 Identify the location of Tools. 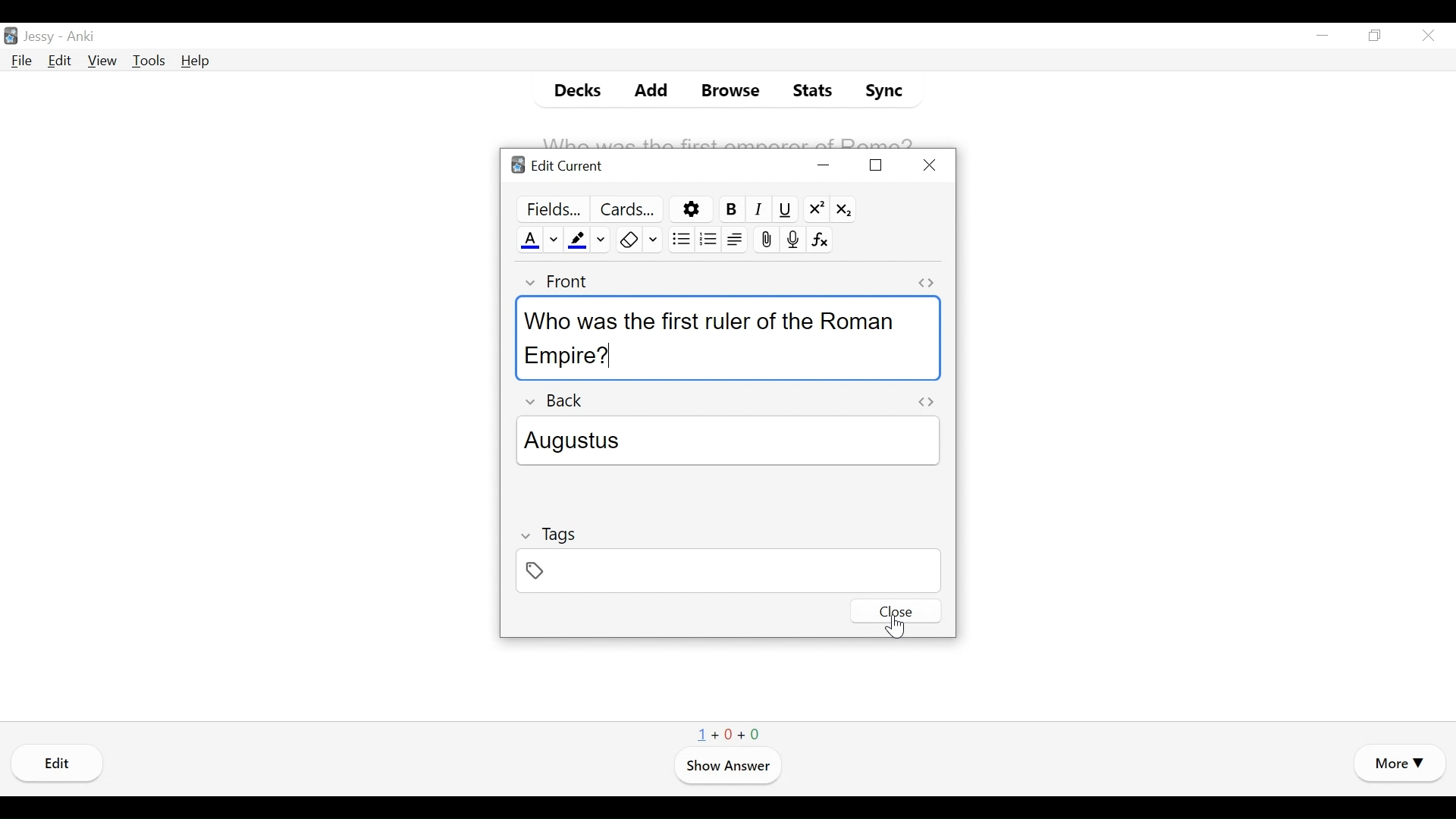
(149, 61).